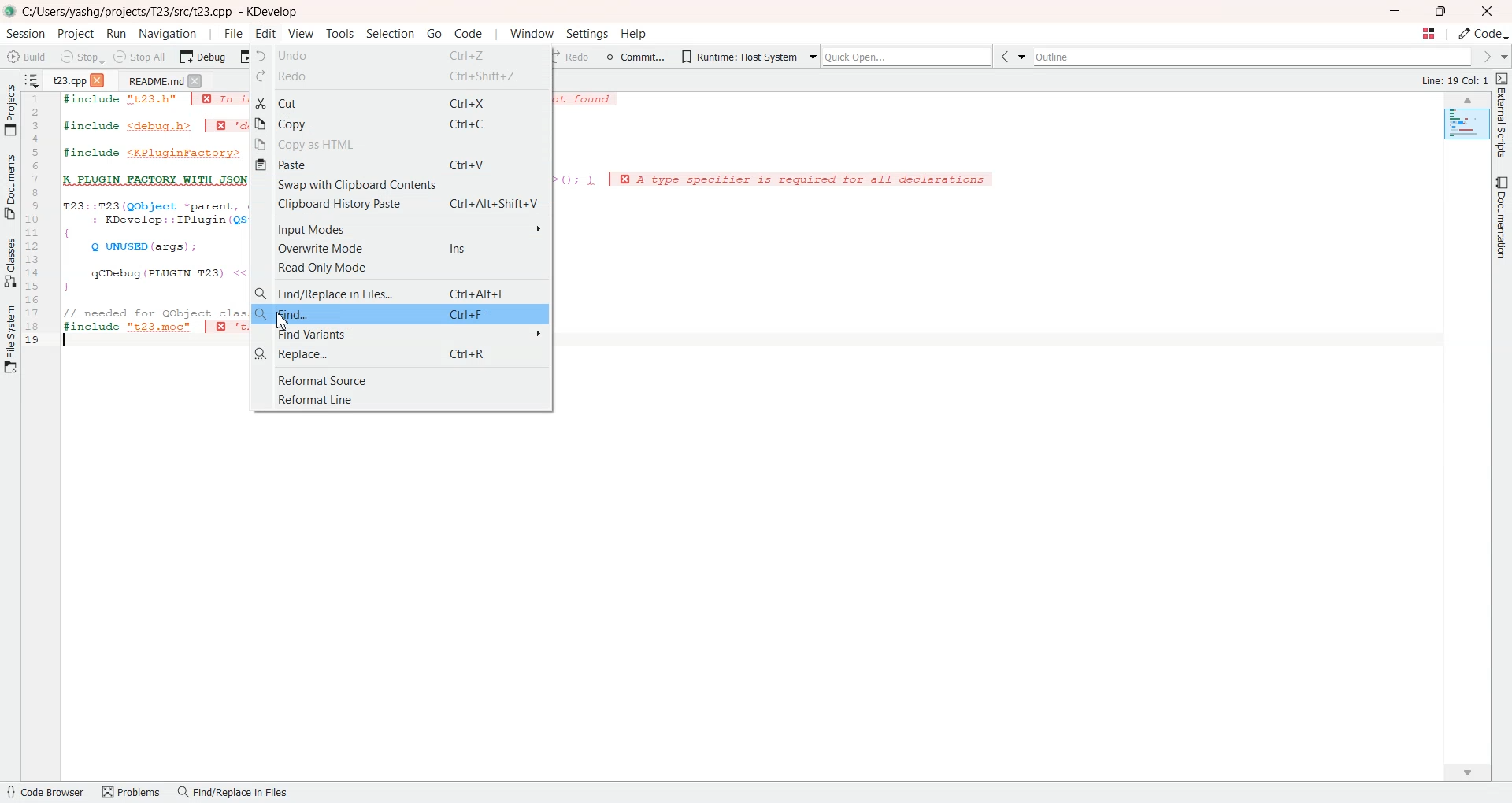  What do you see at coordinates (10, 109) in the screenshot?
I see `Project` at bounding box center [10, 109].